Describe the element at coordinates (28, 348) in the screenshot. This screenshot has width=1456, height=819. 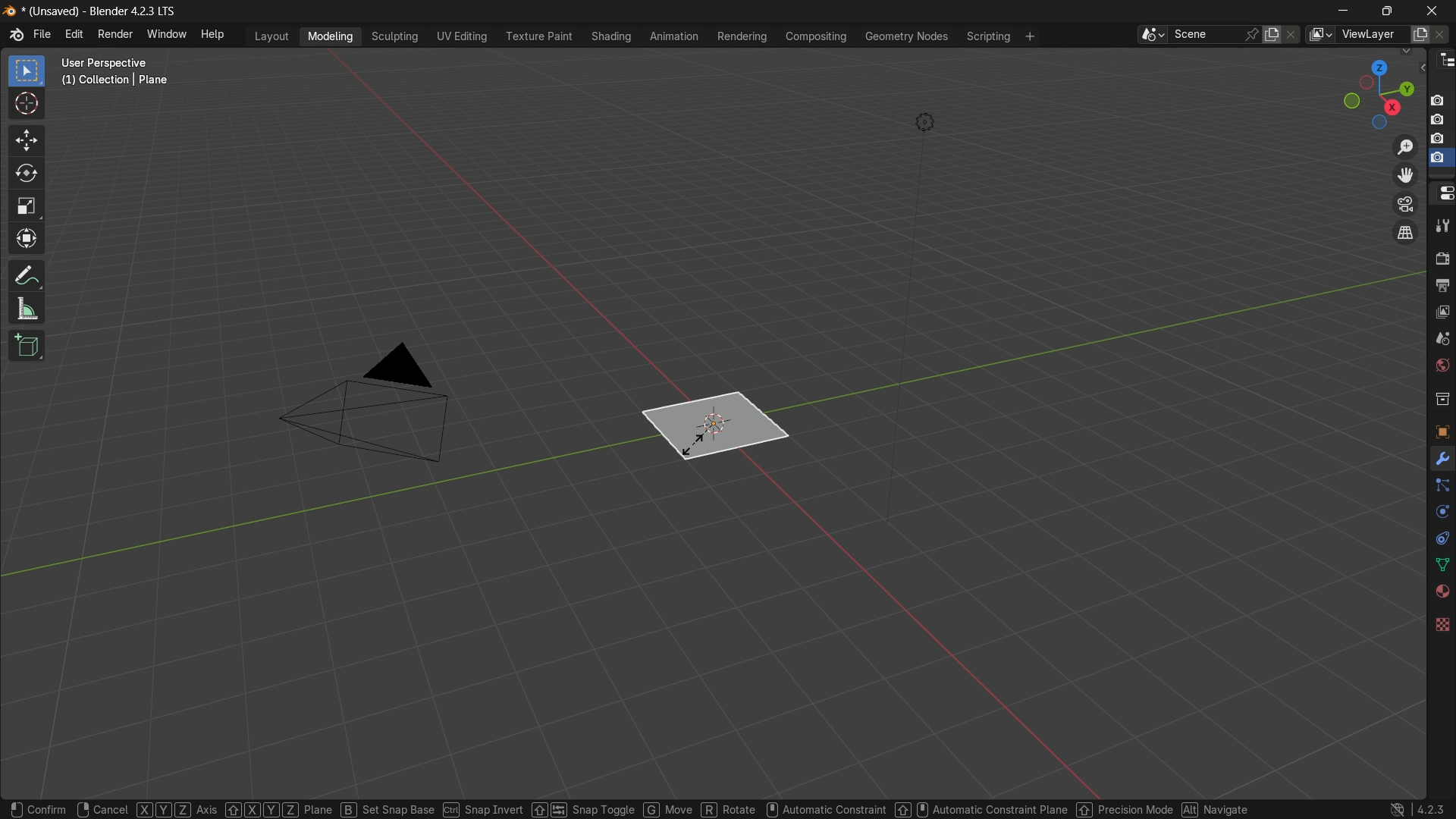
I see `add cube` at that location.